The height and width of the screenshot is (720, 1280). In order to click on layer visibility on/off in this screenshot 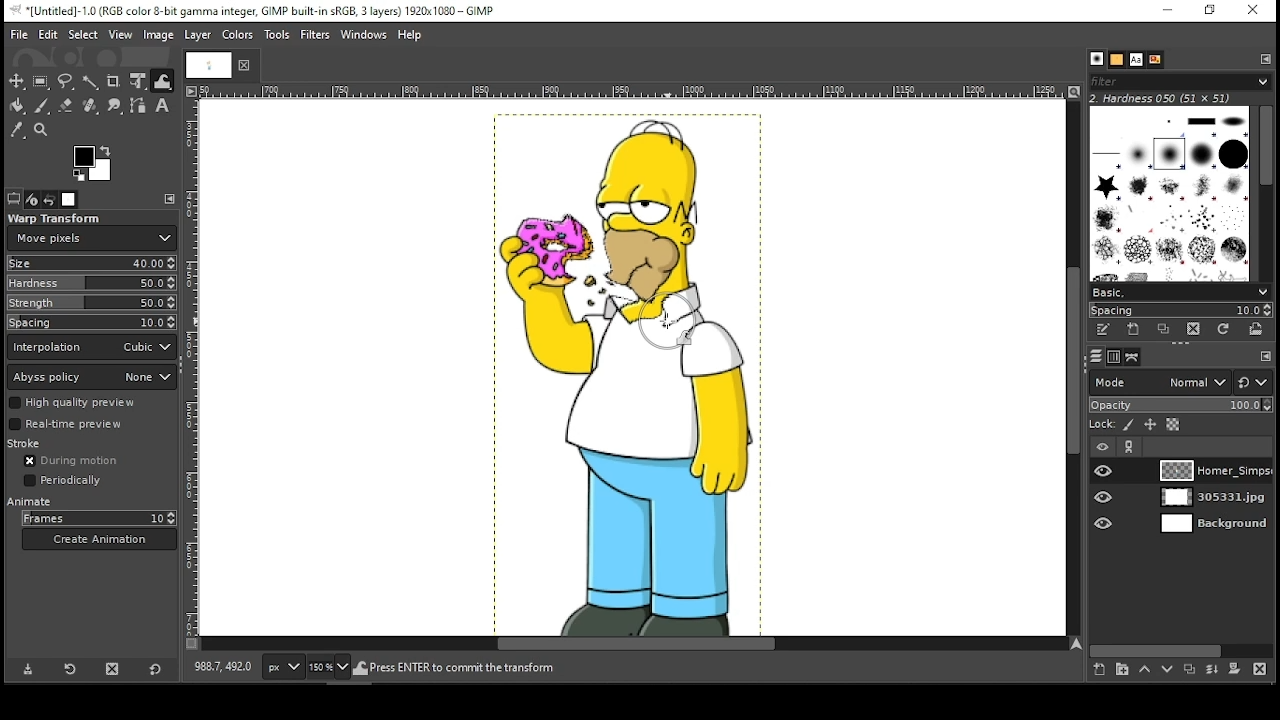, I will do `click(1104, 525)`.